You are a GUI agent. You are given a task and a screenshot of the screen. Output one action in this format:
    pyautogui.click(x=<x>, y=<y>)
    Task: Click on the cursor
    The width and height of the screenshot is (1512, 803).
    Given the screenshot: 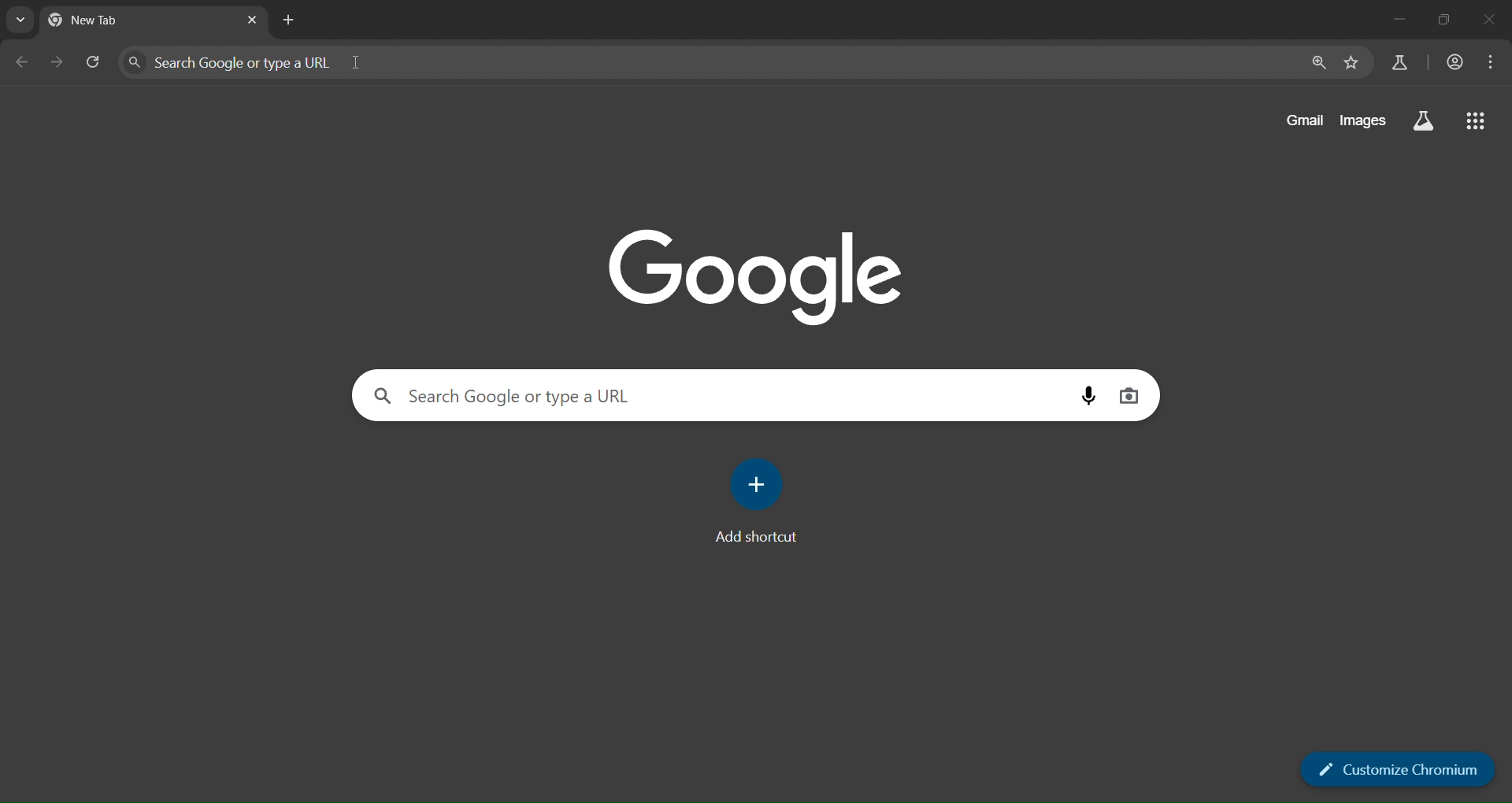 What is the action you would take?
    pyautogui.click(x=358, y=62)
    